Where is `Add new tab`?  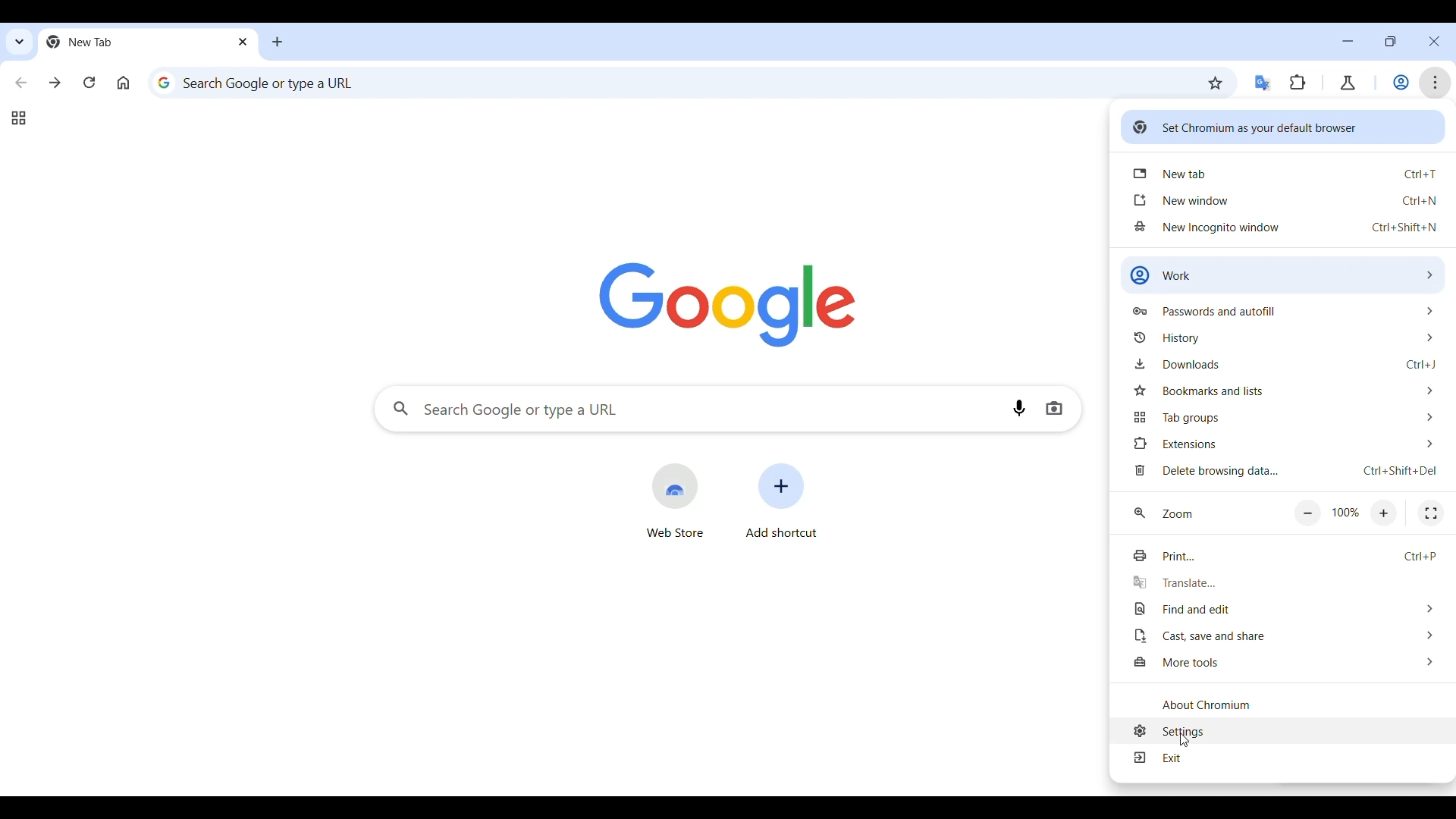
Add new tab is located at coordinates (278, 42).